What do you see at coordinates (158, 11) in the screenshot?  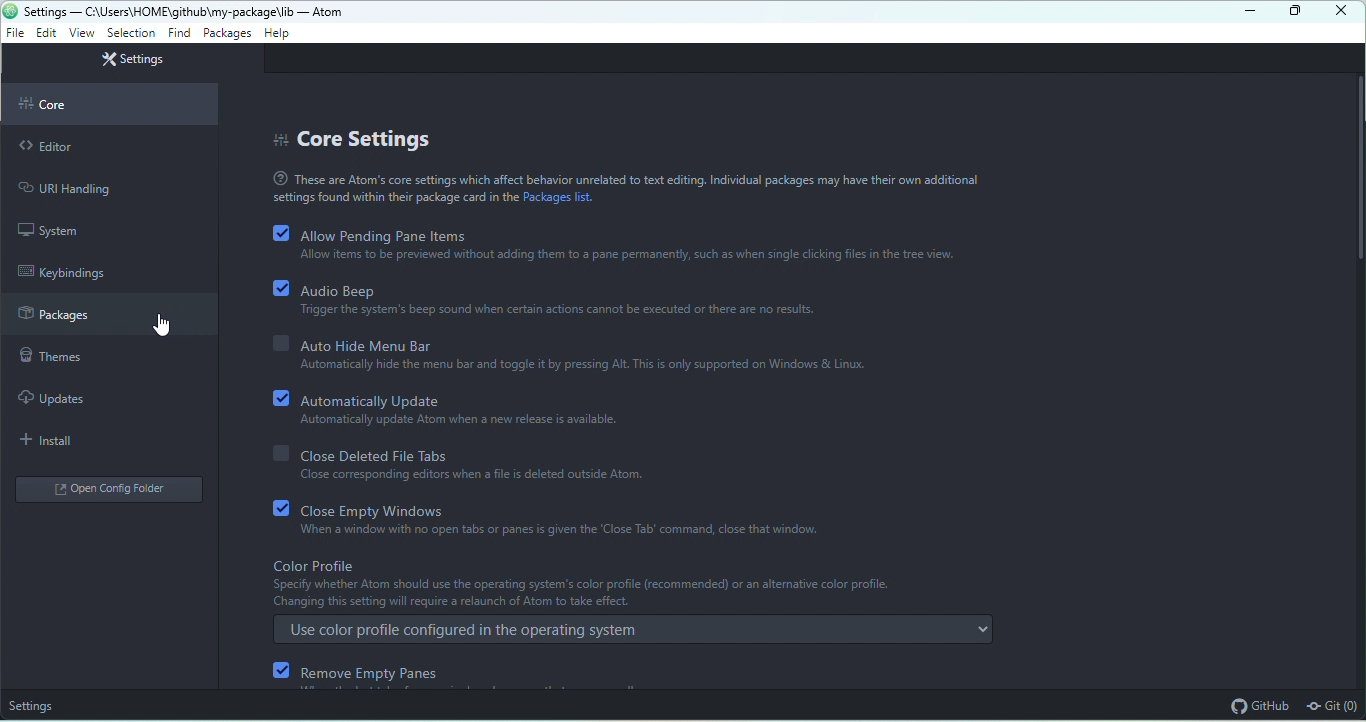 I see `settings — C:\Users\HOME\github\my-package\lit` at bounding box center [158, 11].